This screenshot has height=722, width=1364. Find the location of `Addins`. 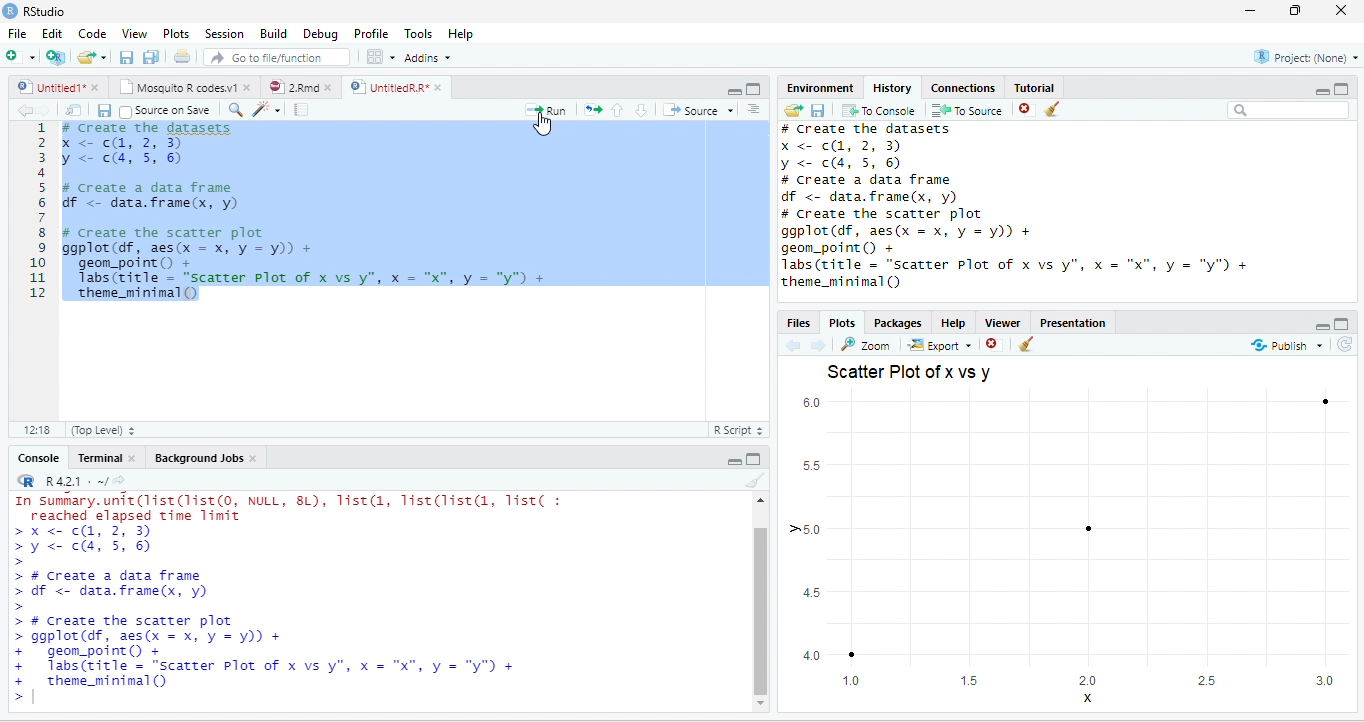

Addins is located at coordinates (426, 57).